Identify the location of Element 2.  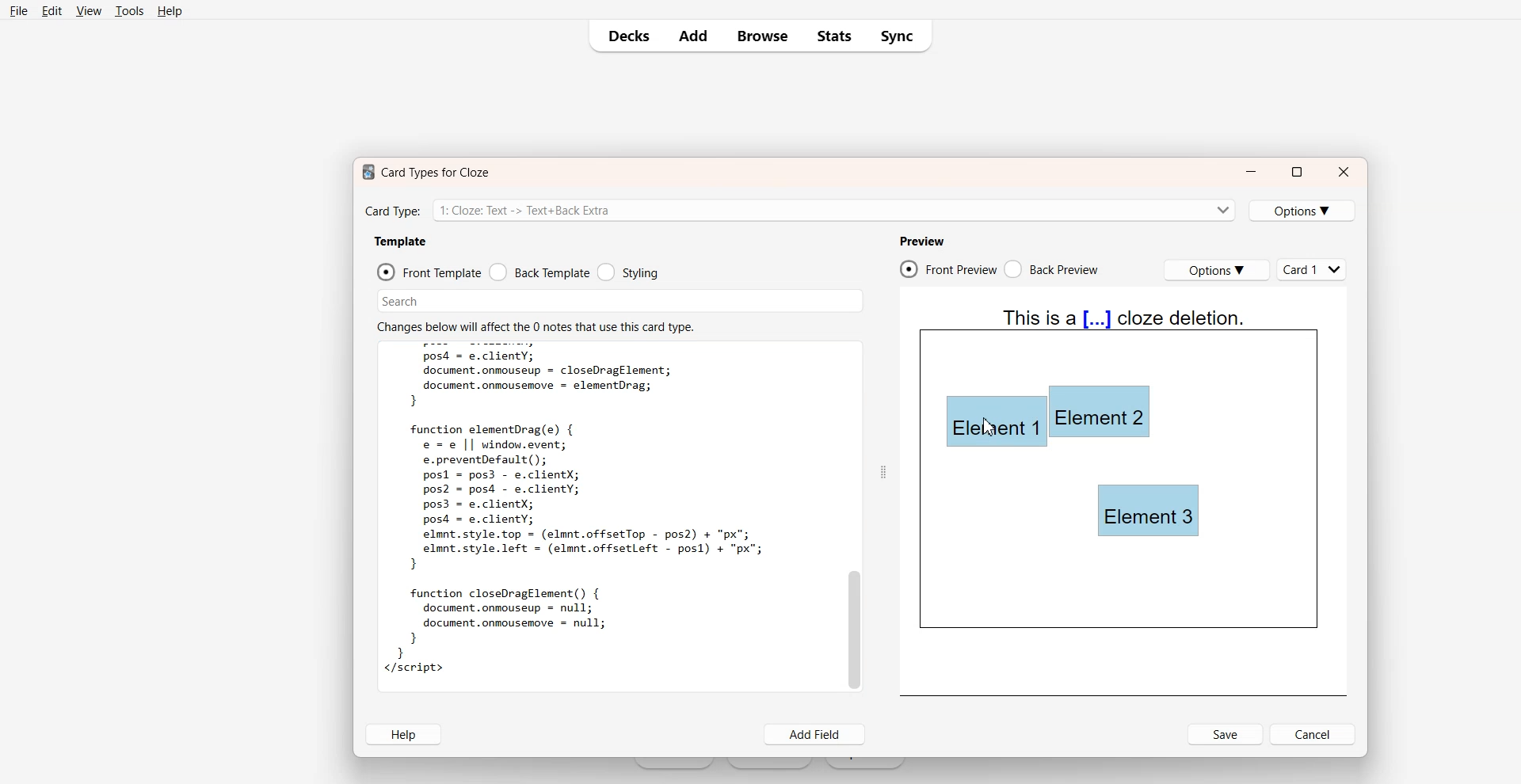
(1100, 412).